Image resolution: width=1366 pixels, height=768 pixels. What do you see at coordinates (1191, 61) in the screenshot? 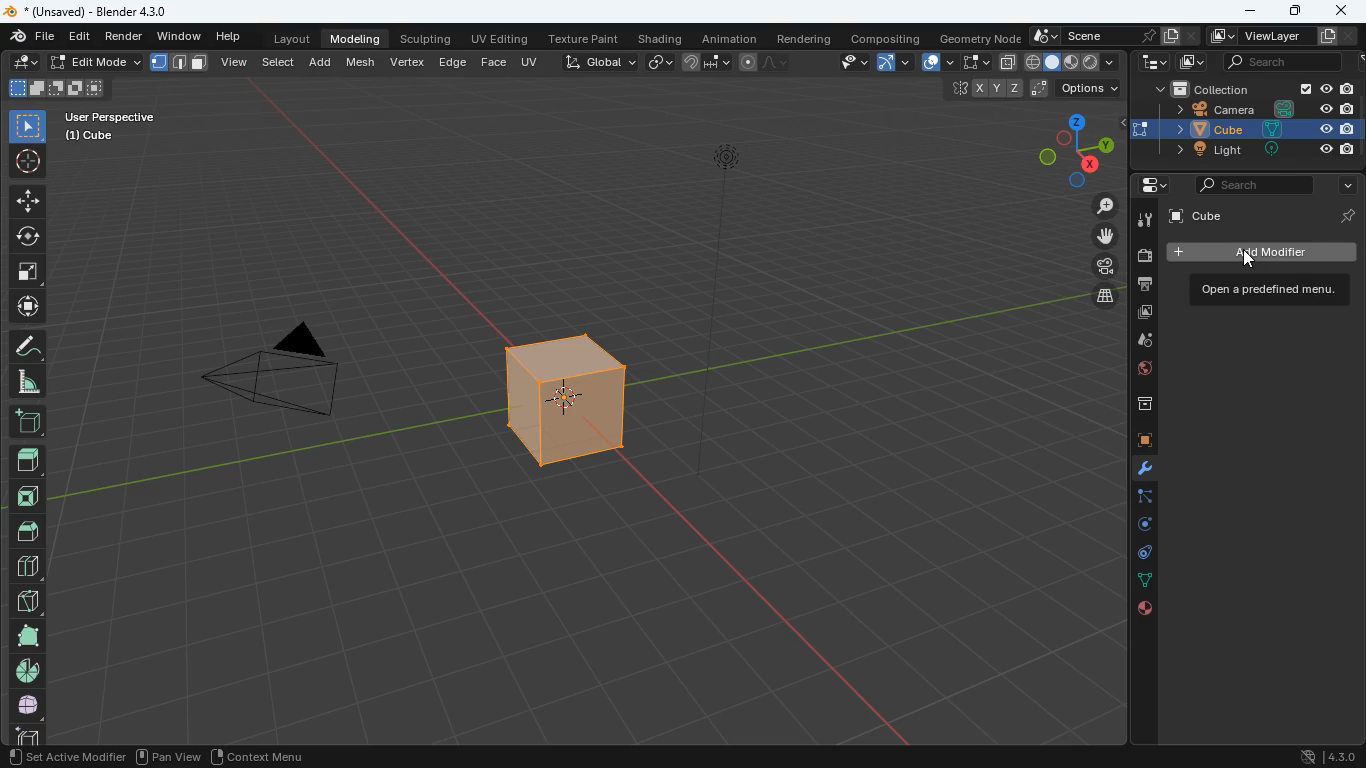
I see `images` at bounding box center [1191, 61].